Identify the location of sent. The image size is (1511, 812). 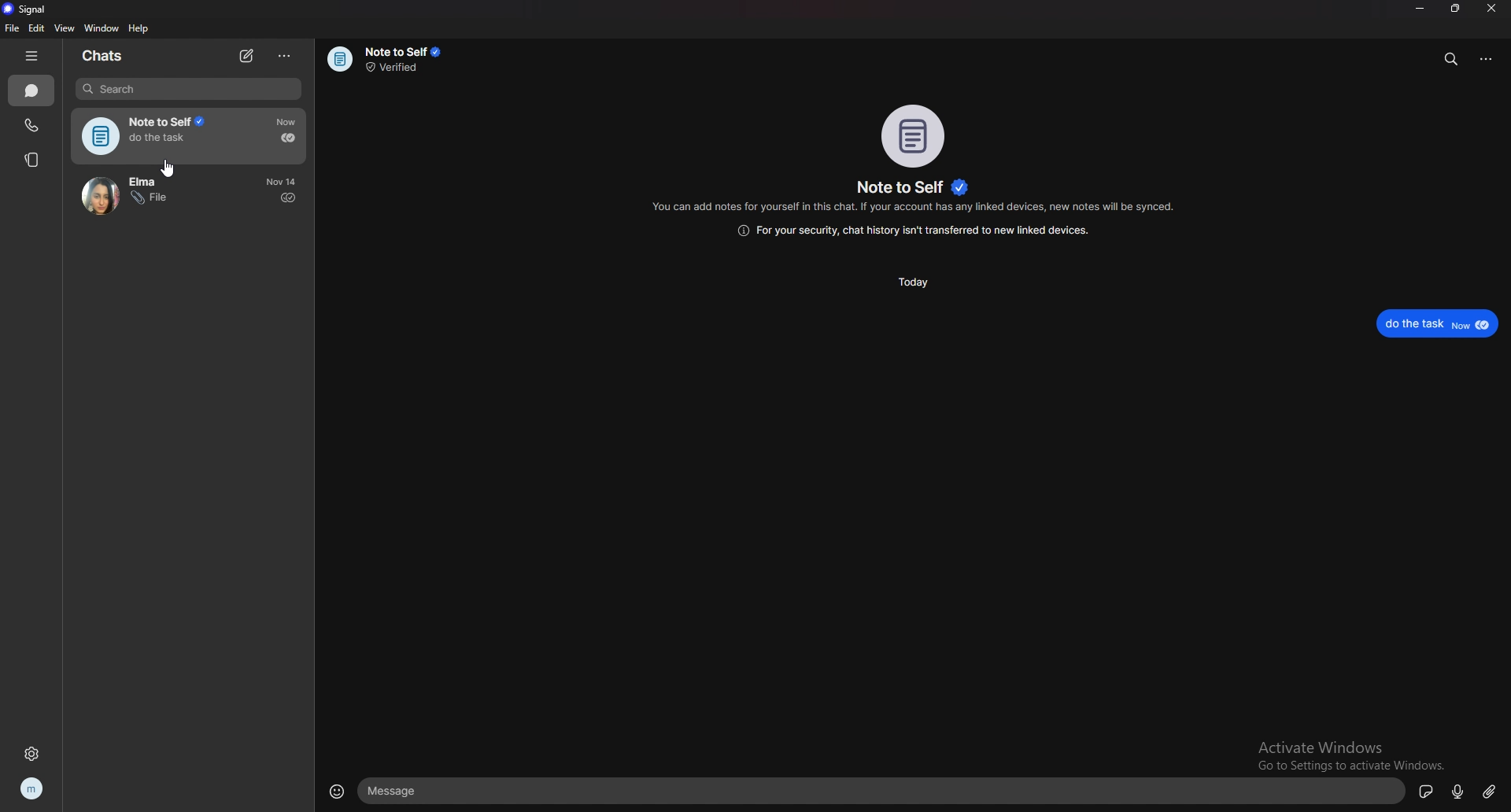
(286, 197).